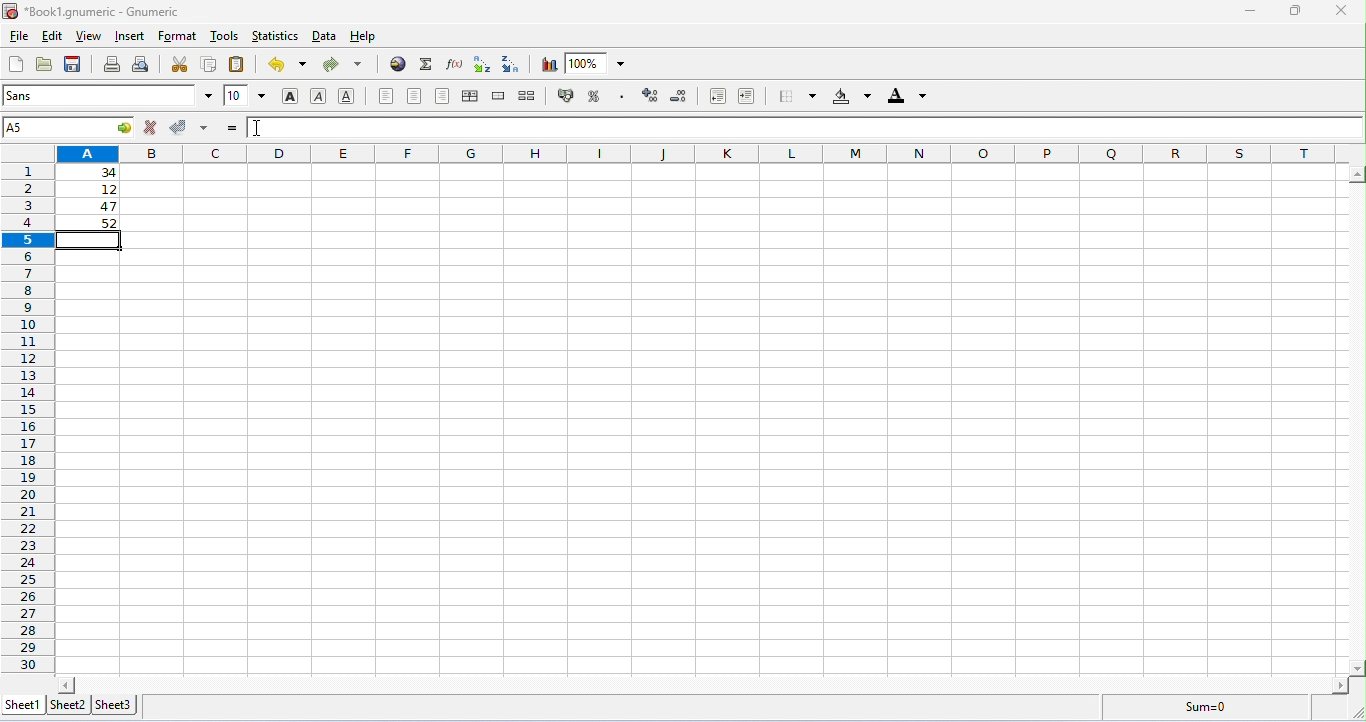  I want to click on selected cells, so click(93, 244).